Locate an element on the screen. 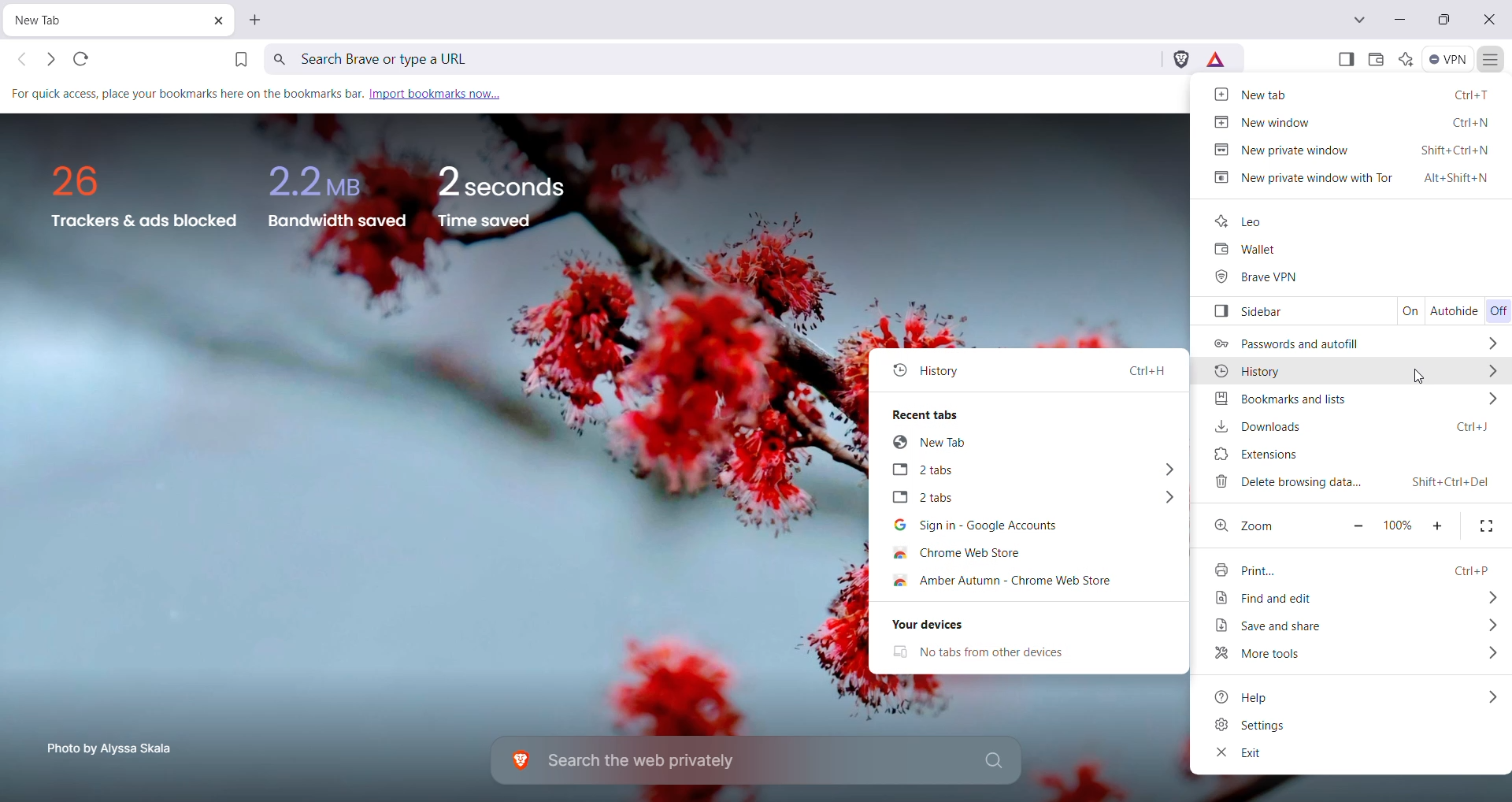 The width and height of the screenshot is (1512, 802). No tabs from other devices is located at coordinates (1001, 652).